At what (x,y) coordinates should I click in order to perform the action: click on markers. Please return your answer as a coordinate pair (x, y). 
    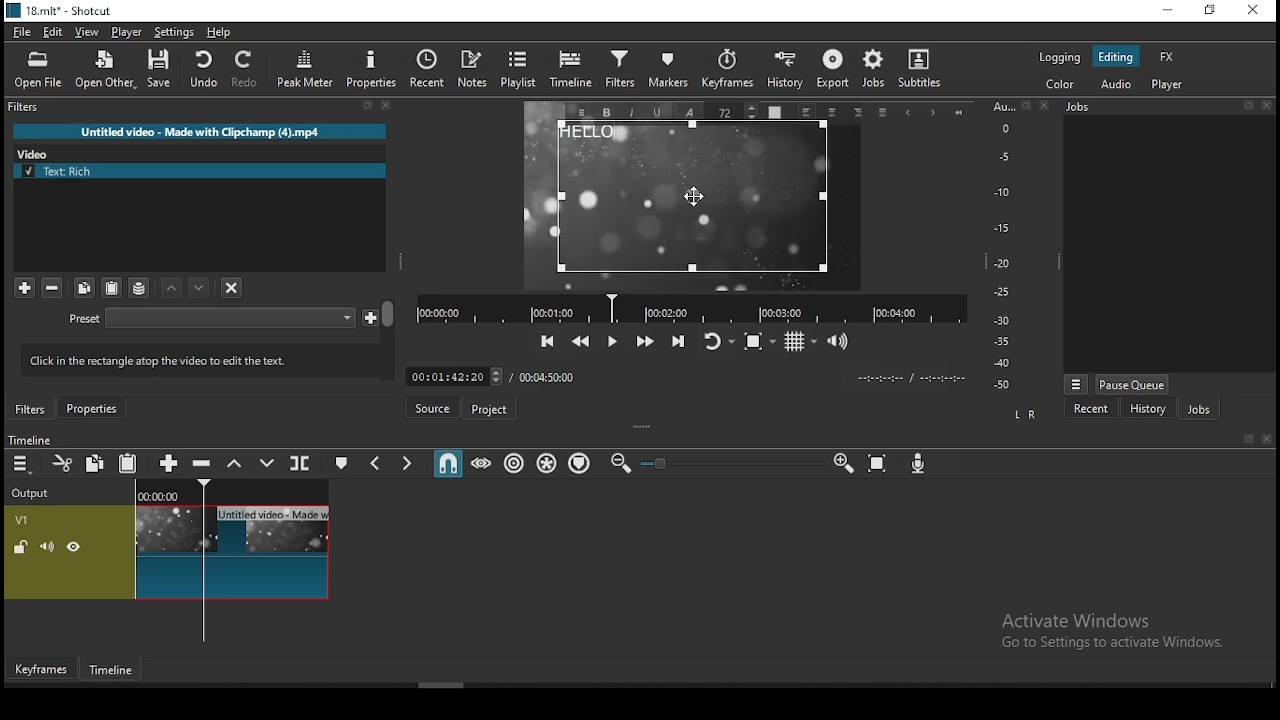
    Looking at the image, I should click on (665, 74).